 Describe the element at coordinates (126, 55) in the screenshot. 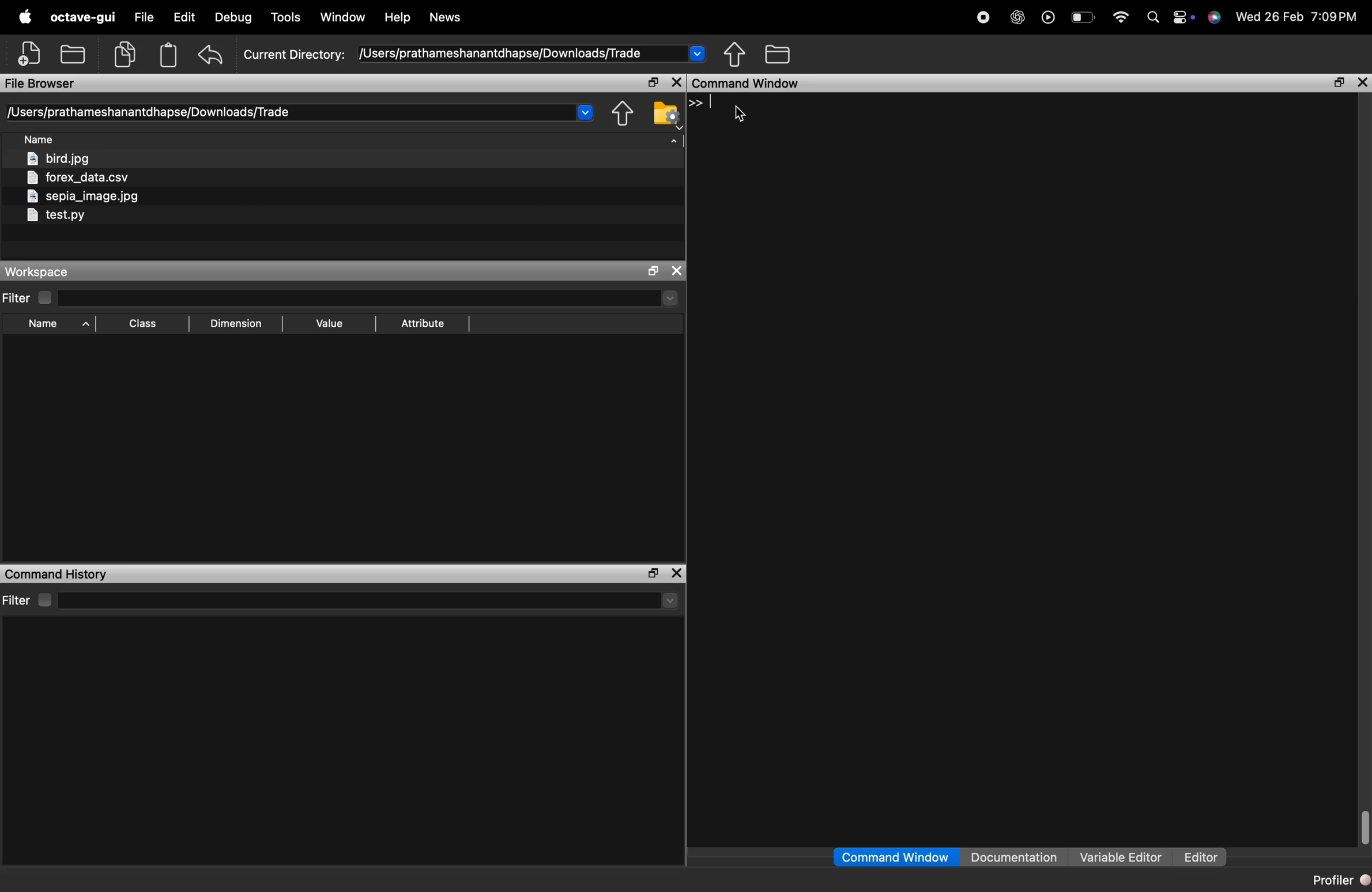

I see `copy` at that location.